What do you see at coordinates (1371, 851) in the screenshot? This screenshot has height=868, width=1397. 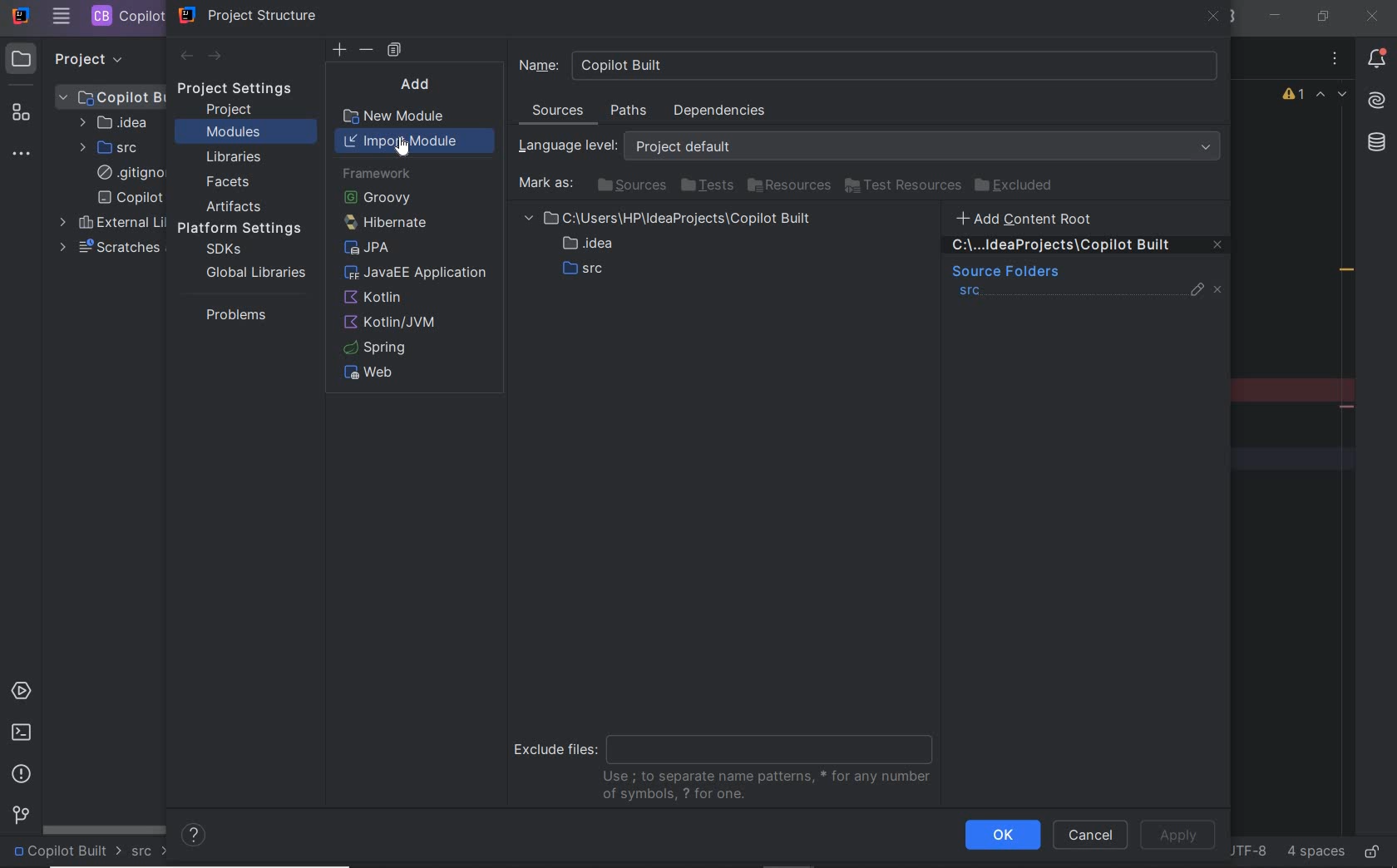 I see `make file ready only` at bounding box center [1371, 851].